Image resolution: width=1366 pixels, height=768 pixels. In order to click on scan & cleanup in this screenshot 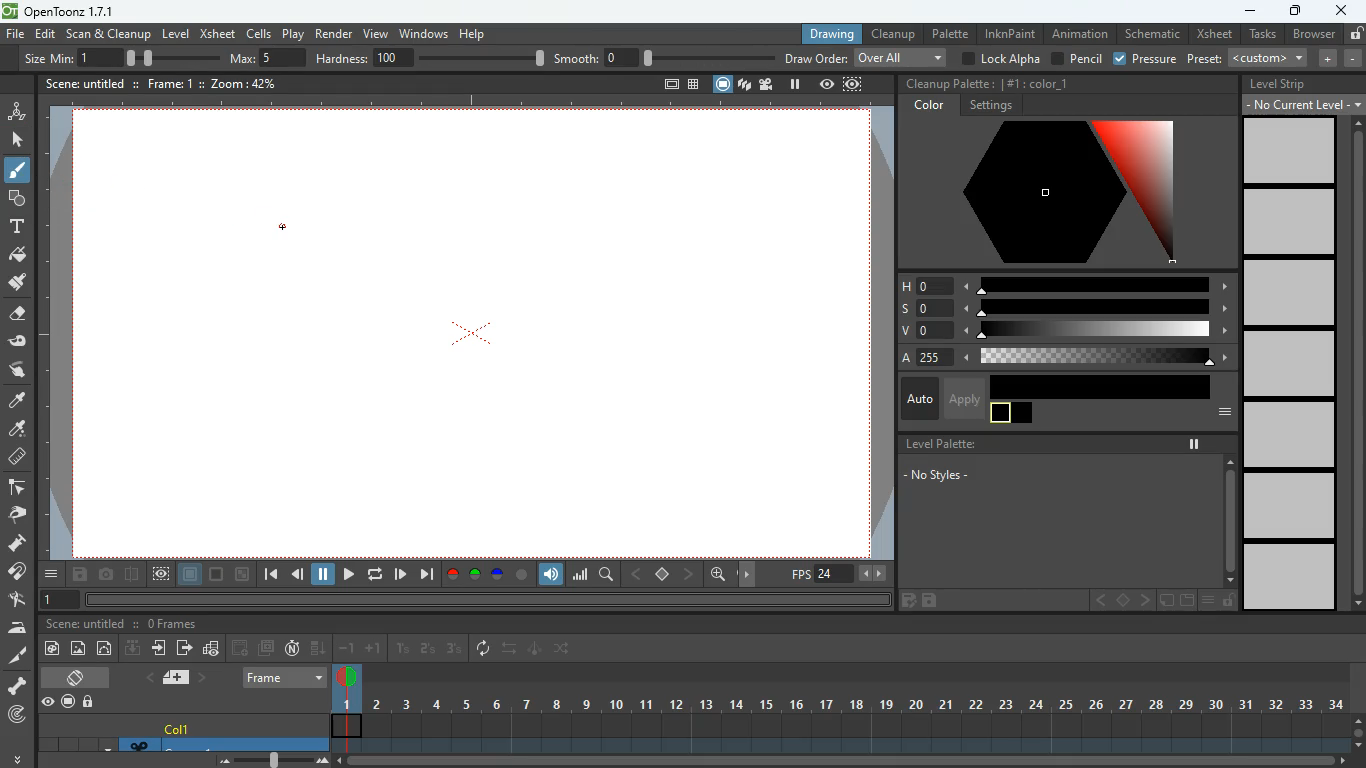, I will do `click(109, 35)`.